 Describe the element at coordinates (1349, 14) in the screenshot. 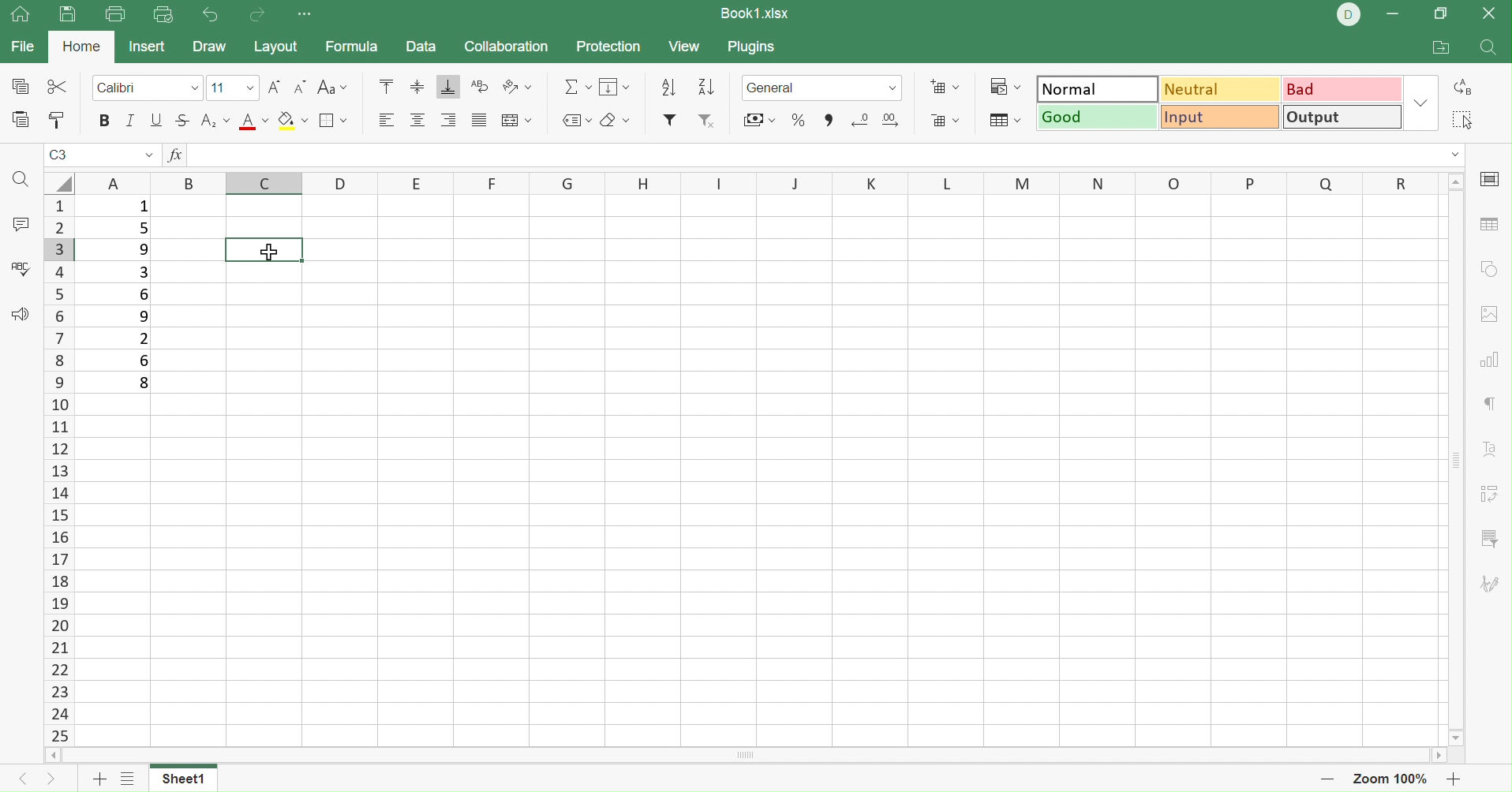

I see `DELL` at that location.